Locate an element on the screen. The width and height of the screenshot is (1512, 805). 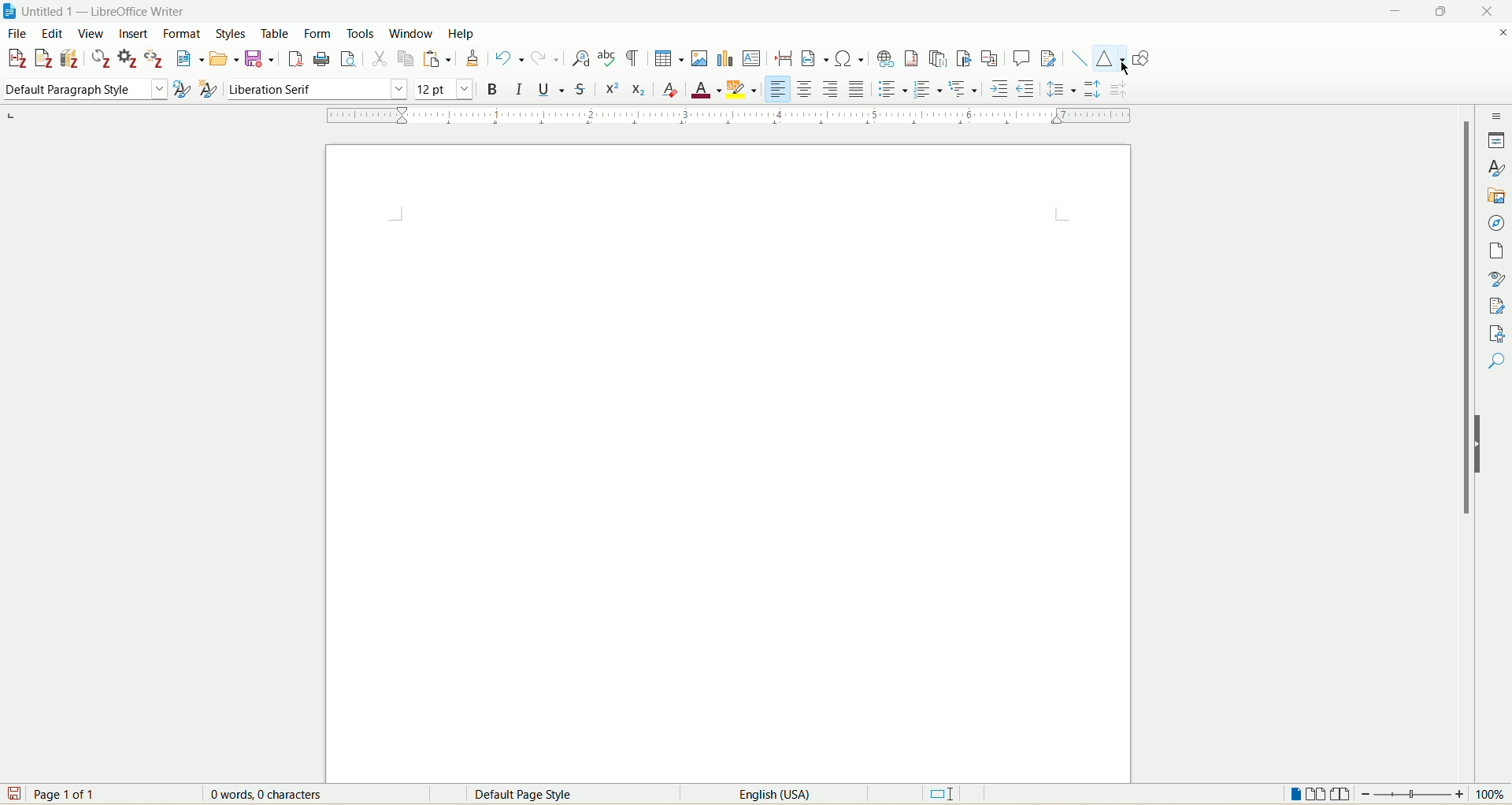
font color is located at coordinates (707, 89).